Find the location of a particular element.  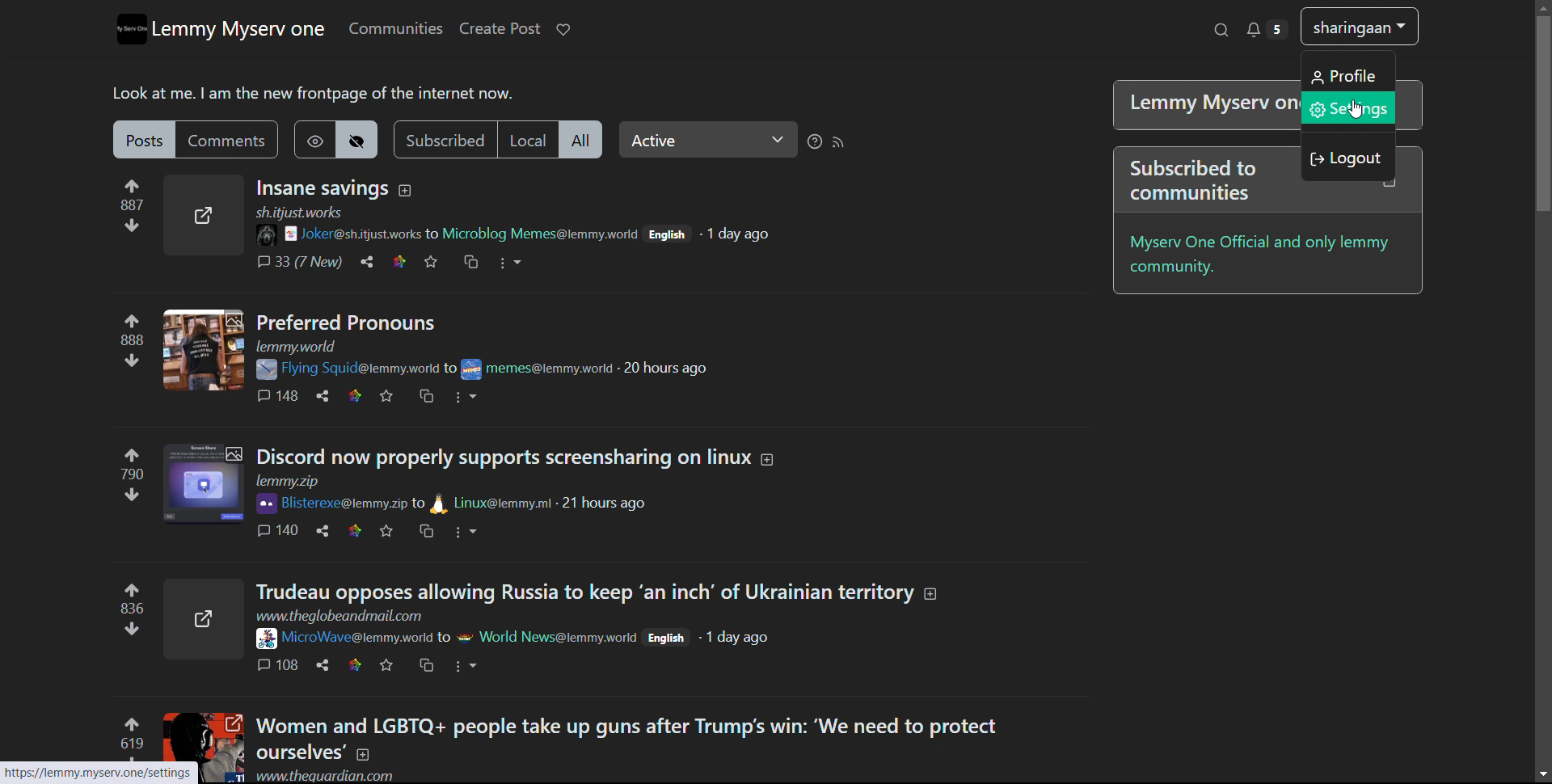

21 hours ago is located at coordinates (604, 505).